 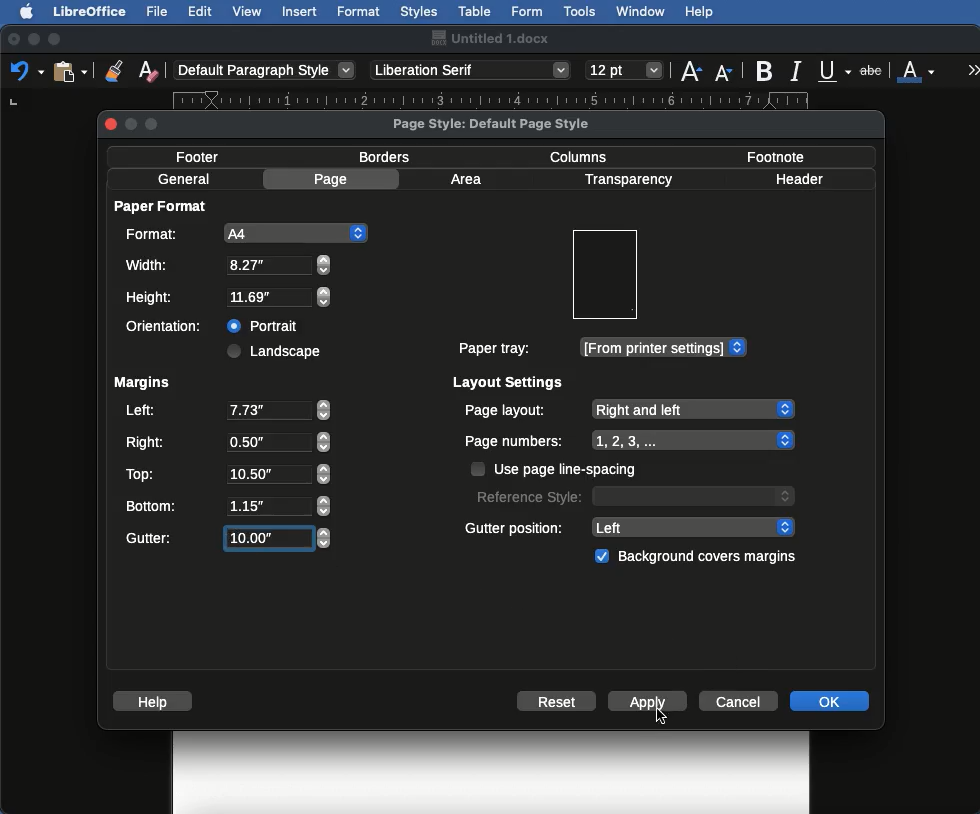 I want to click on Right, so click(x=226, y=443).